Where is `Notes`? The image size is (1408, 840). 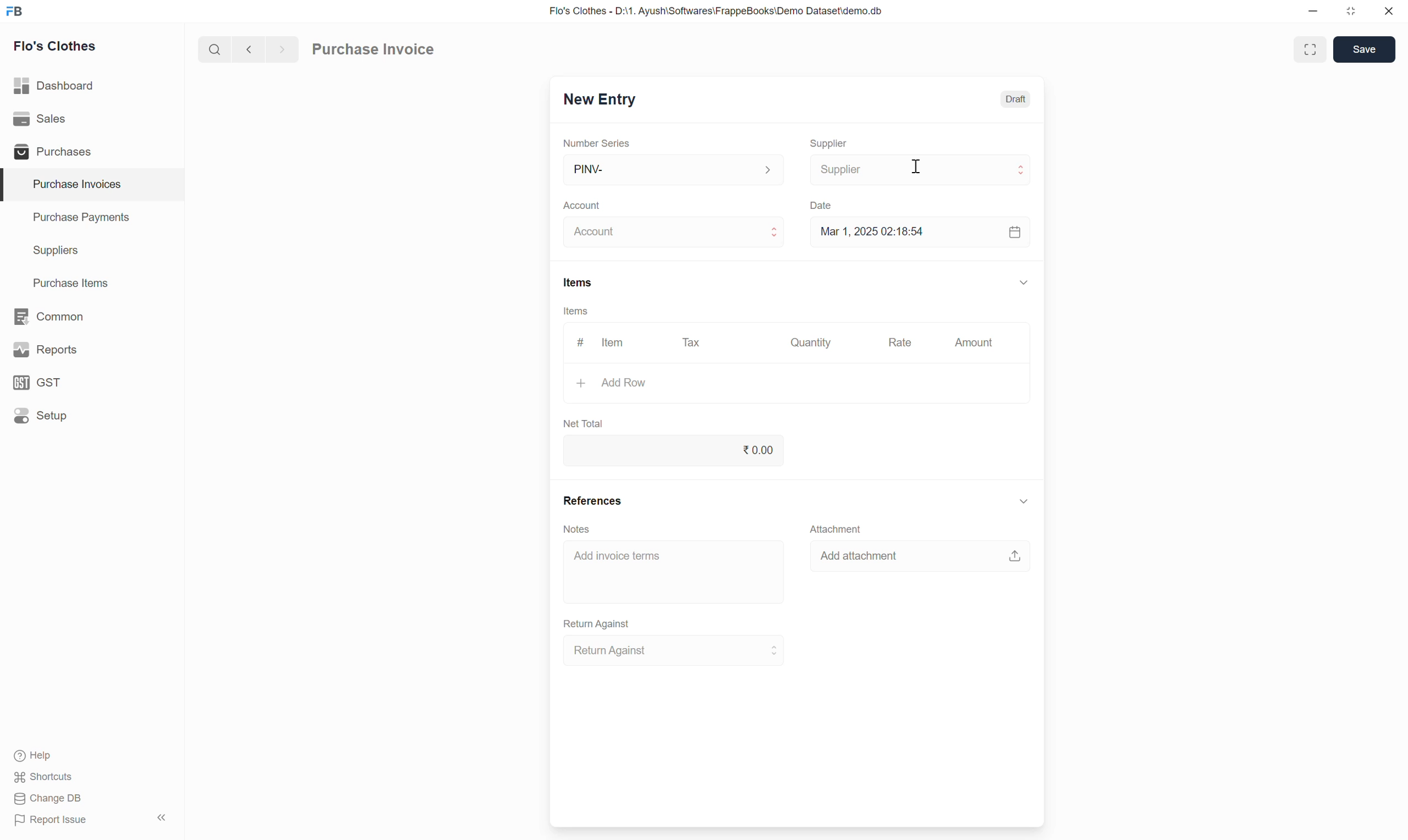
Notes is located at coordinates (576, 529).